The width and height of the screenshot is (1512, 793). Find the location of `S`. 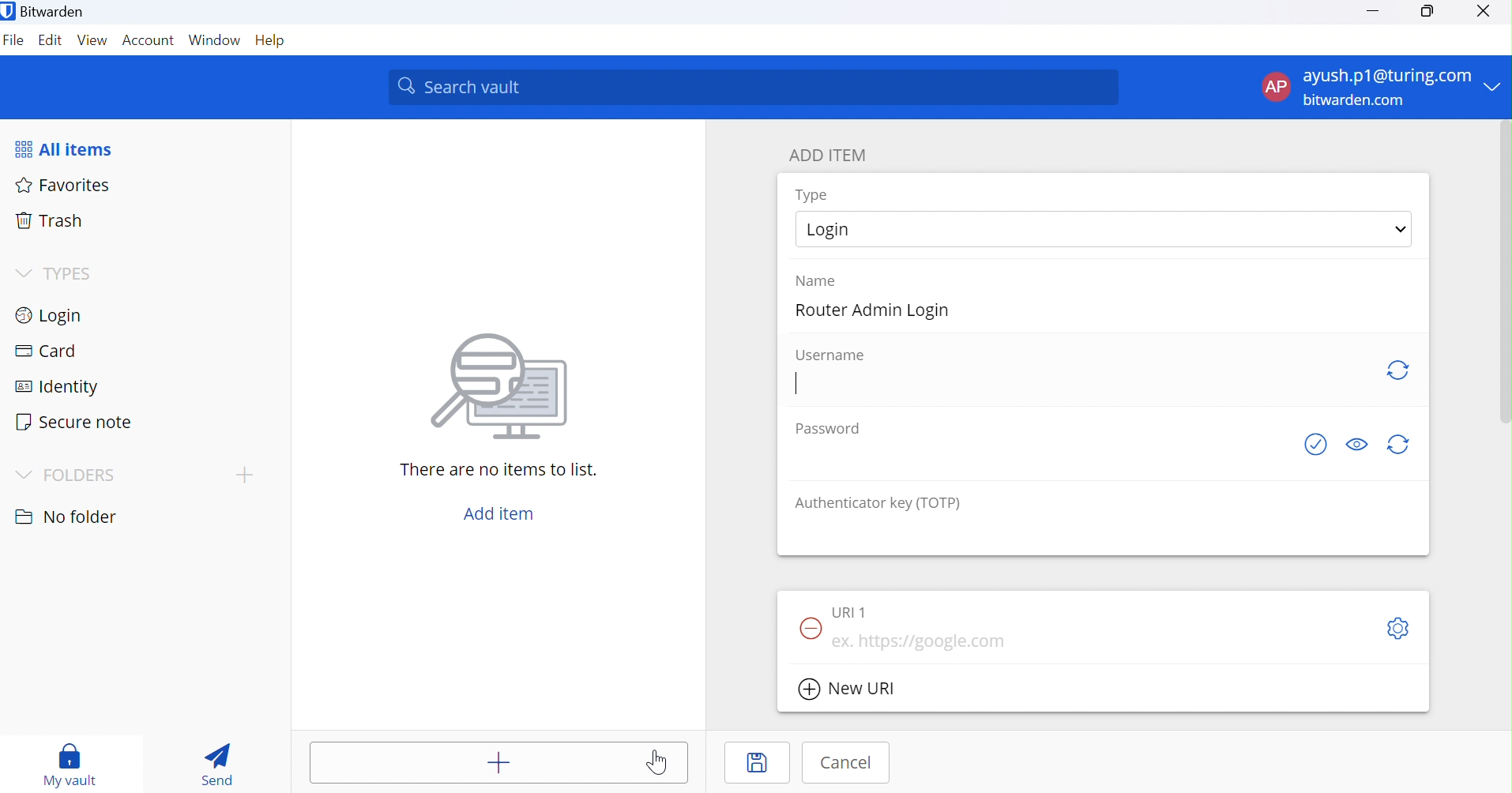

S is located at coordinates (1397, 630).